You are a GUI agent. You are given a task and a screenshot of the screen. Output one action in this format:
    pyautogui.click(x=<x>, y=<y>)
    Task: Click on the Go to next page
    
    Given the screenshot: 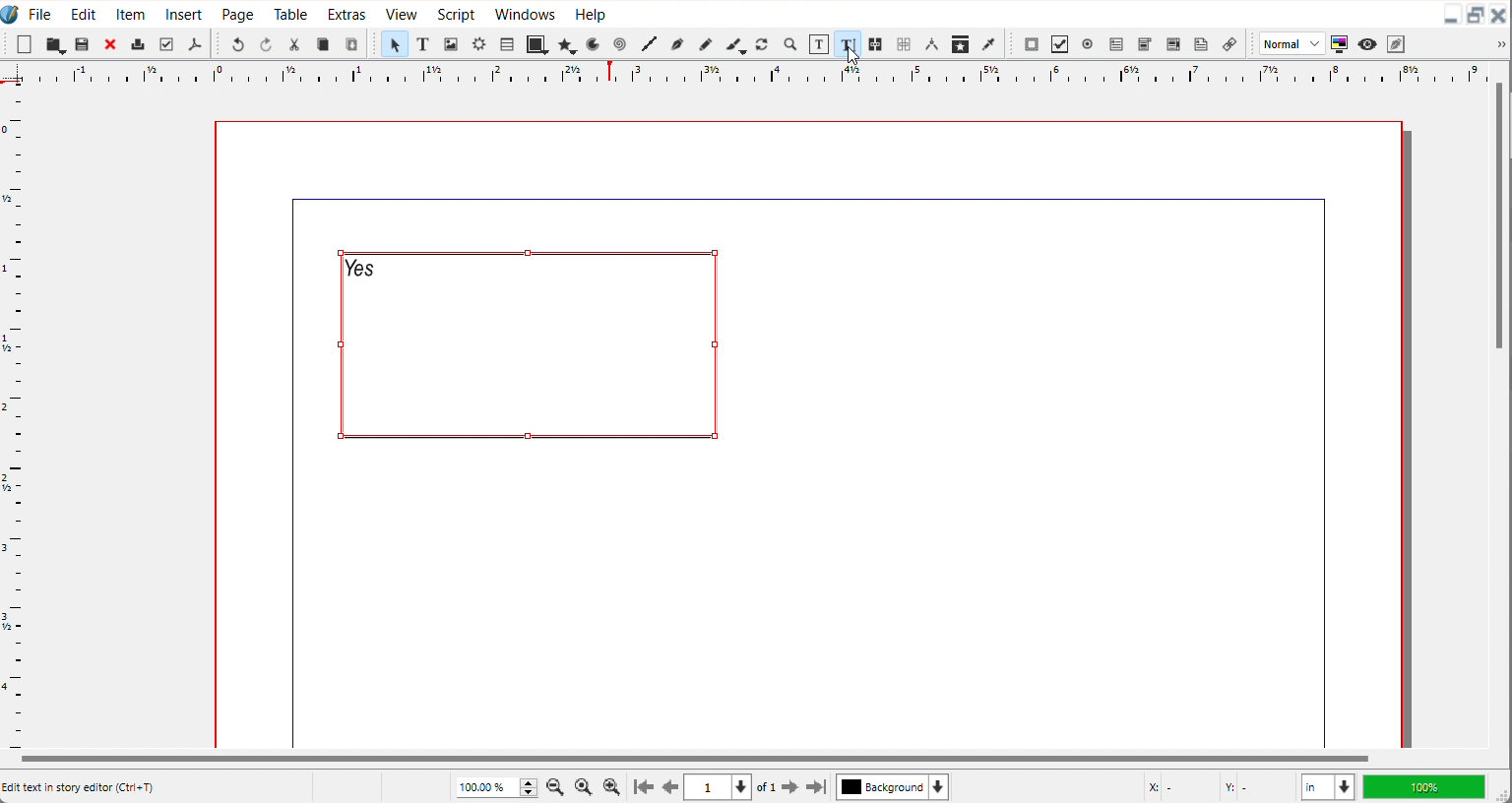 What is the action you would take?
    pyautogui.click(x=779, y=787)
    